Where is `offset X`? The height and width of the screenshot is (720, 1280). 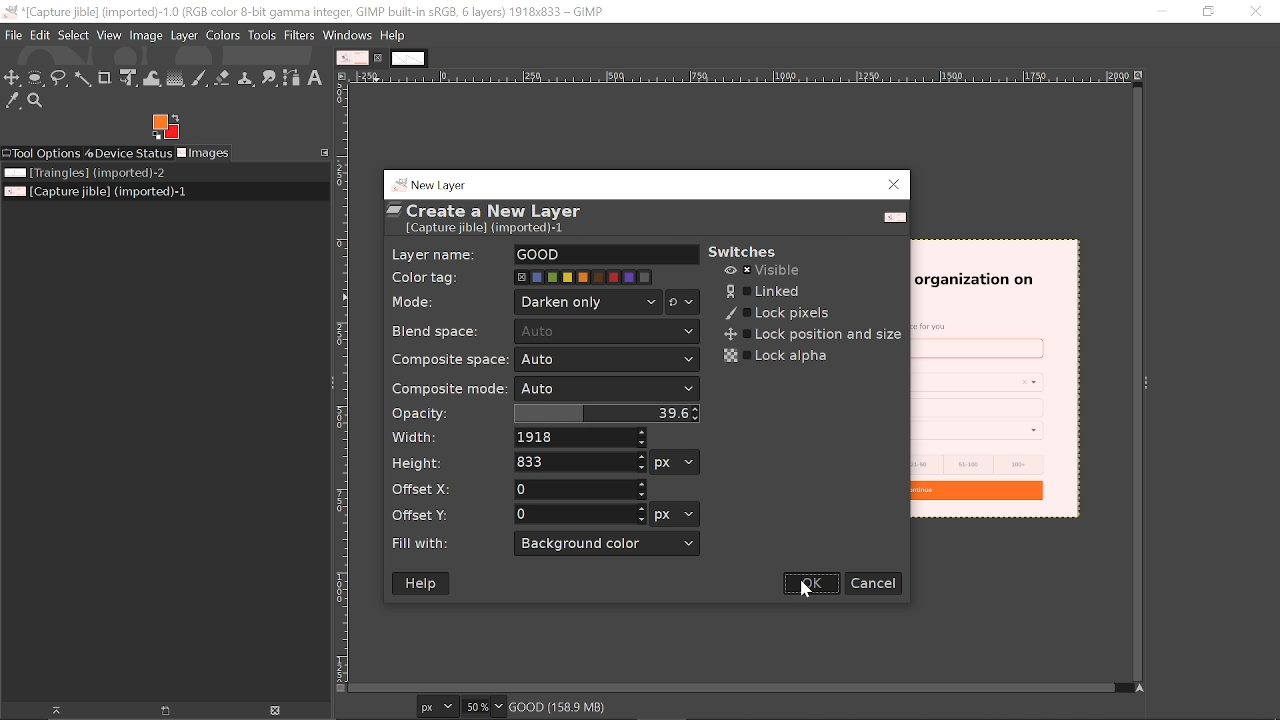 offset X is located at coordinates (579, 488).